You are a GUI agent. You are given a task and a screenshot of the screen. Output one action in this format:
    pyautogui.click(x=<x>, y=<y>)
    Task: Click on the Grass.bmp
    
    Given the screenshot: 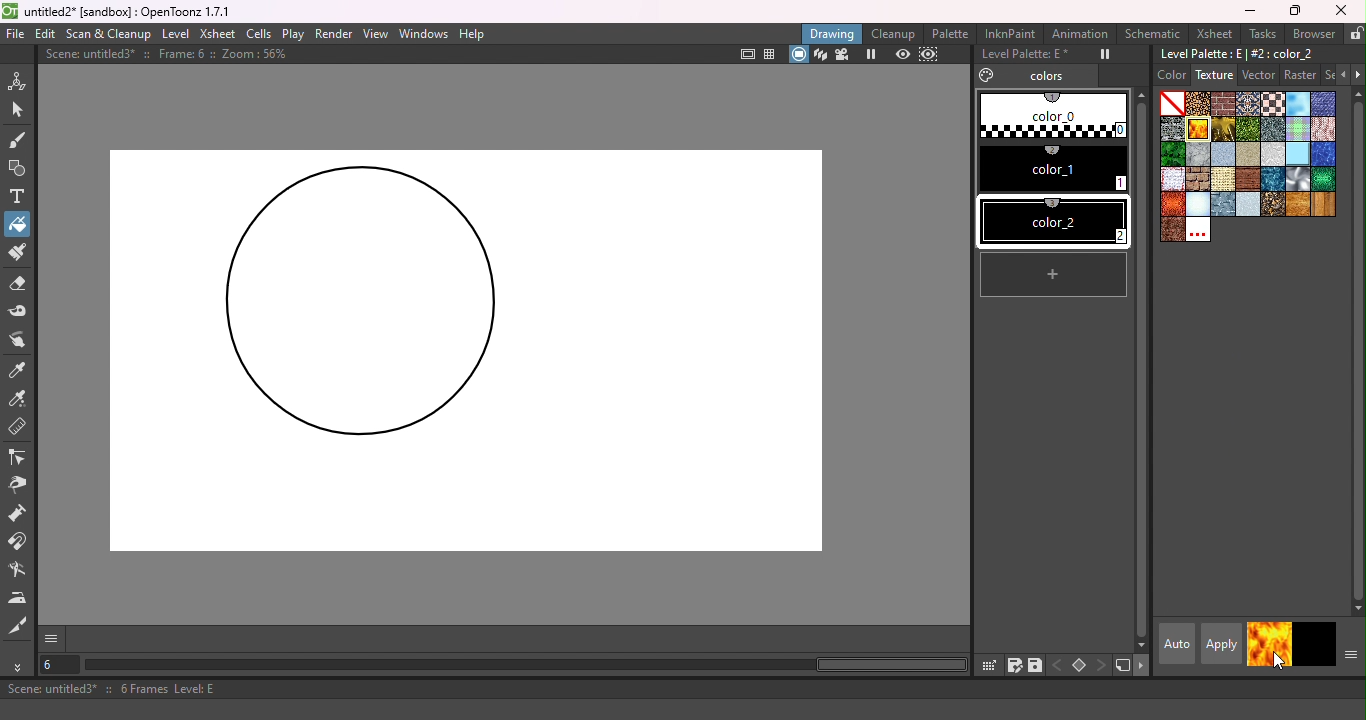 What is the action you would take?
    pyautogui.click(x=1249, y=129)
    